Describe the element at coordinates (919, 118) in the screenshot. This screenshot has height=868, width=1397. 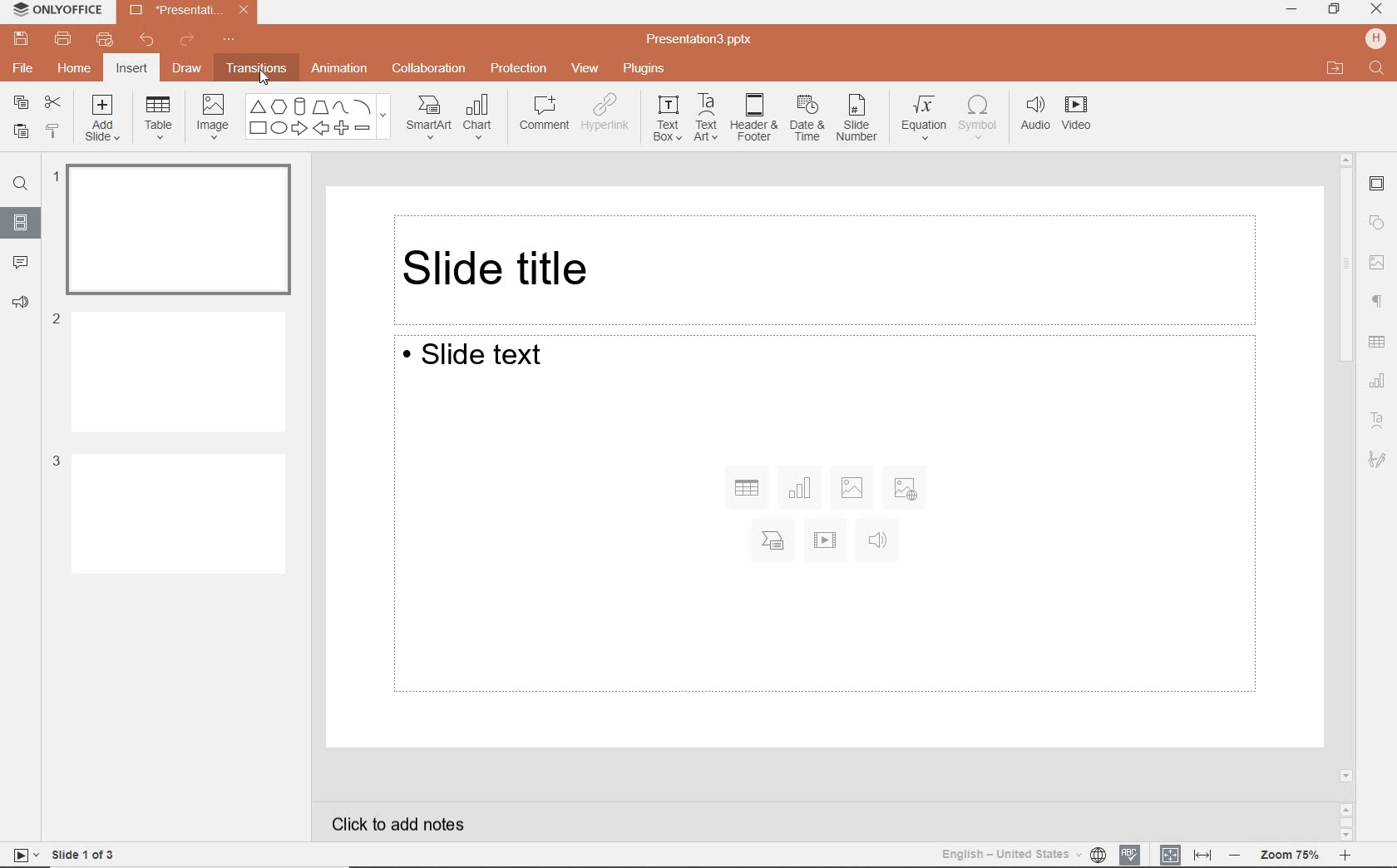
I see `EQUATION` at that location.